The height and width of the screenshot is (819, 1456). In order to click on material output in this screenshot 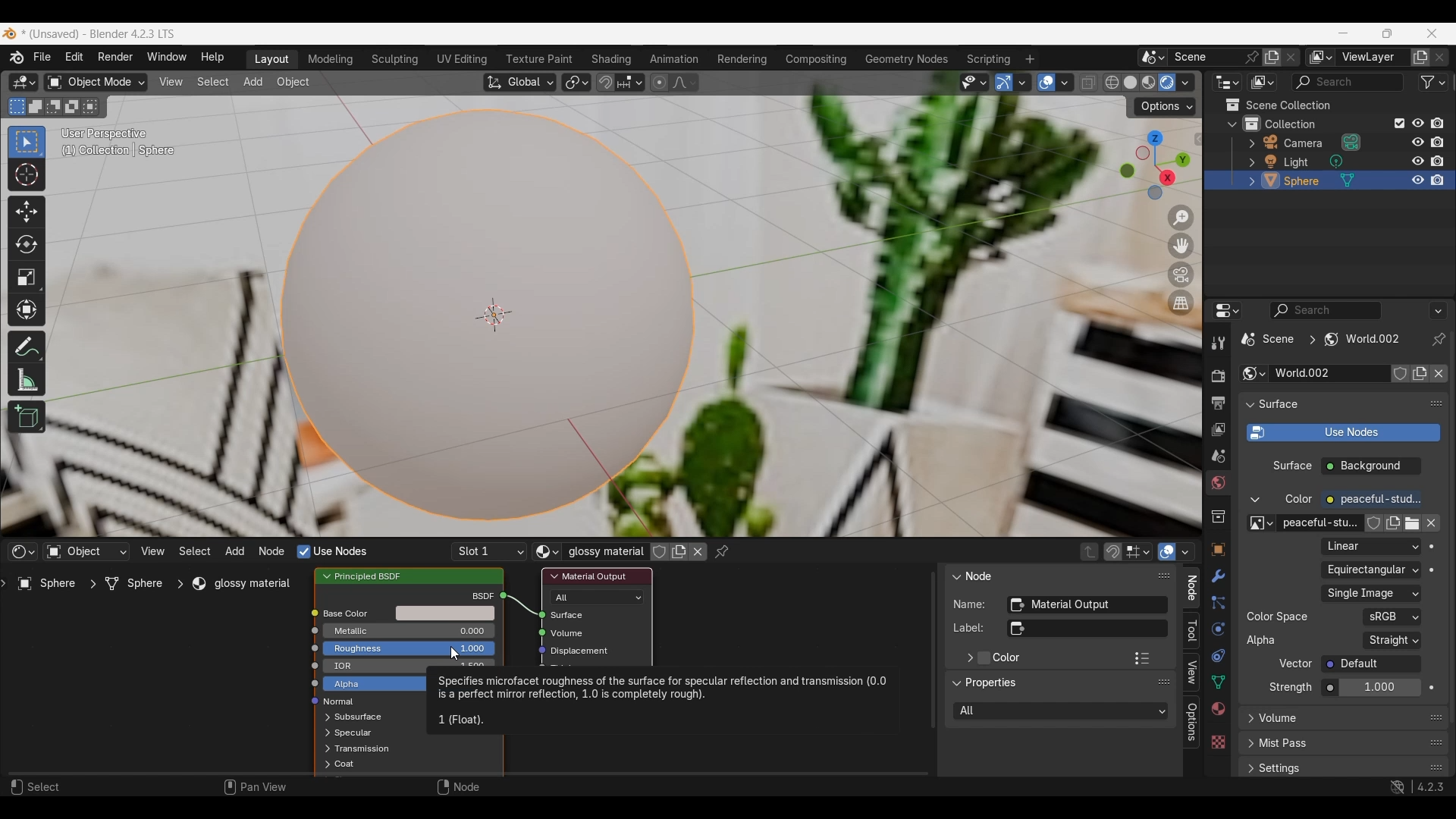, I will do `click(595, 576)`.